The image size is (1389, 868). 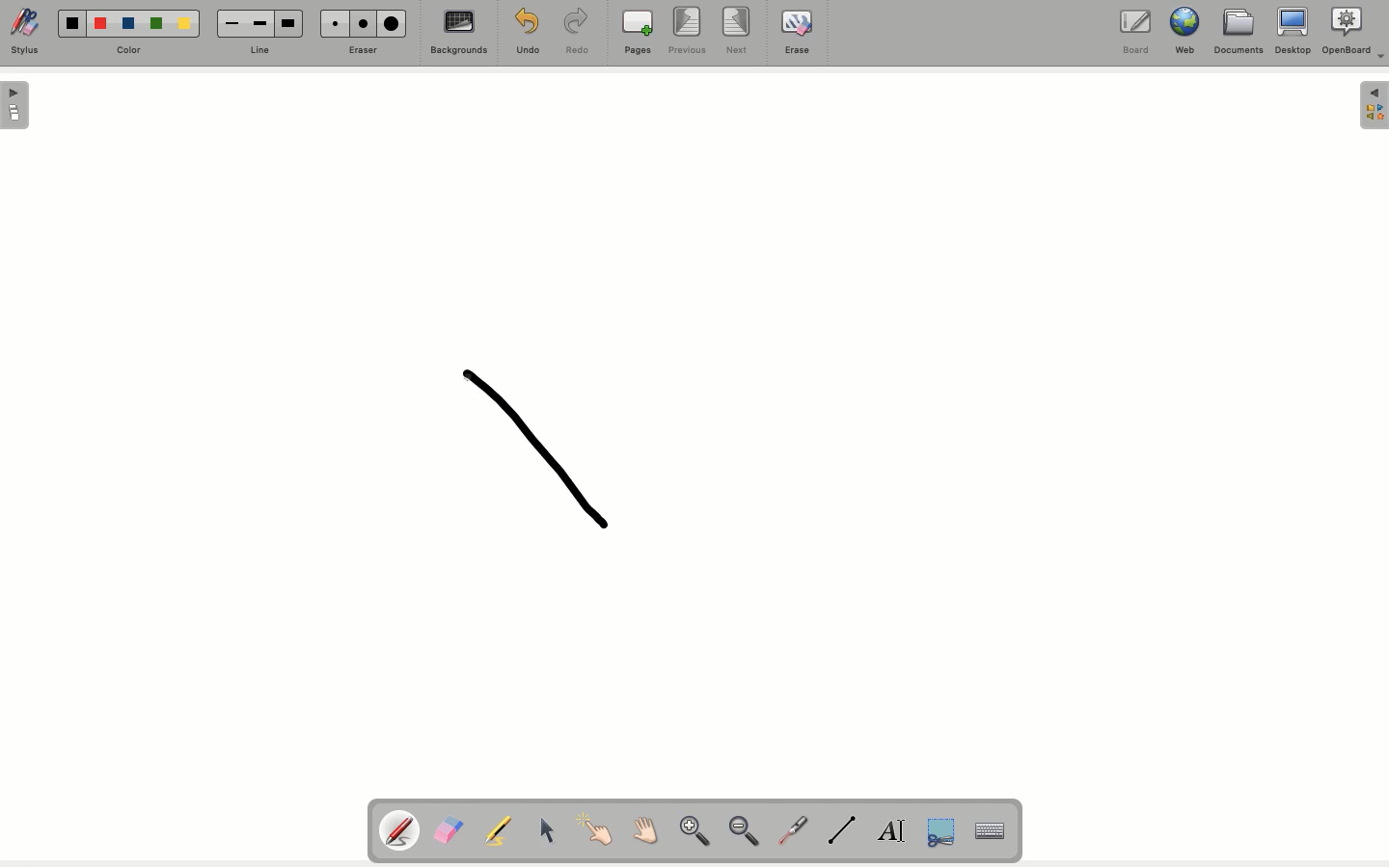 What do you see at coordinates (395, 23) in the screenshot?
I see `Large ` at bounding box center [395, 23].